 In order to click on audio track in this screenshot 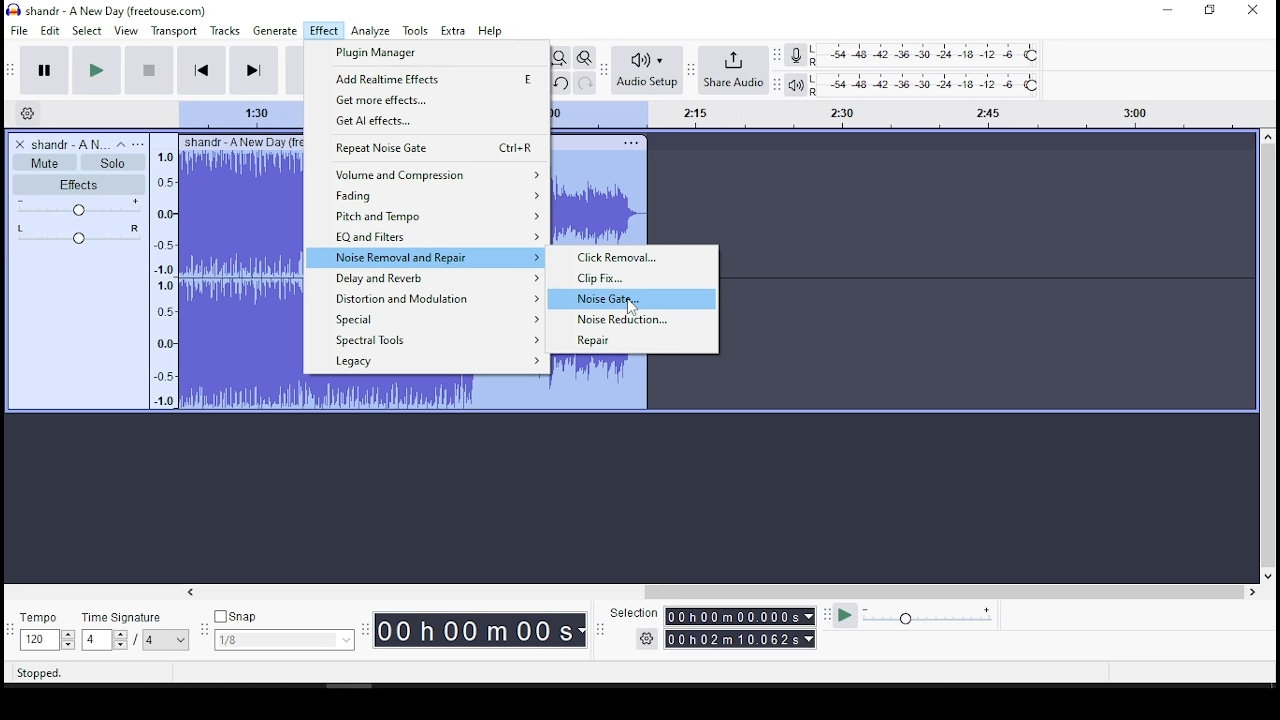, I will do `click(425, 396)`.